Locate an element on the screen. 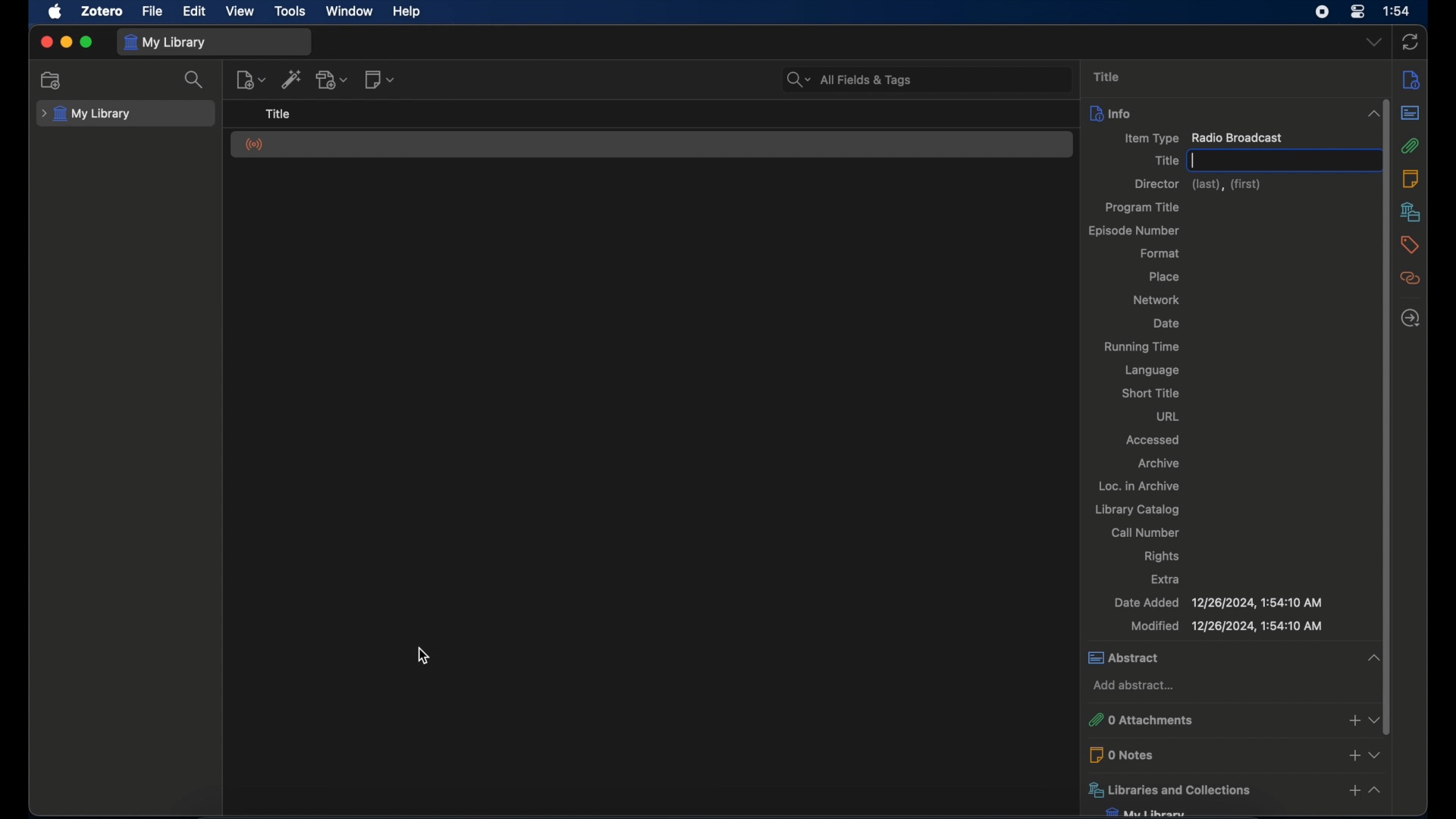 The width and height of the screenshot is (1456, 819). episode number is located at coordinates (1137, 231).